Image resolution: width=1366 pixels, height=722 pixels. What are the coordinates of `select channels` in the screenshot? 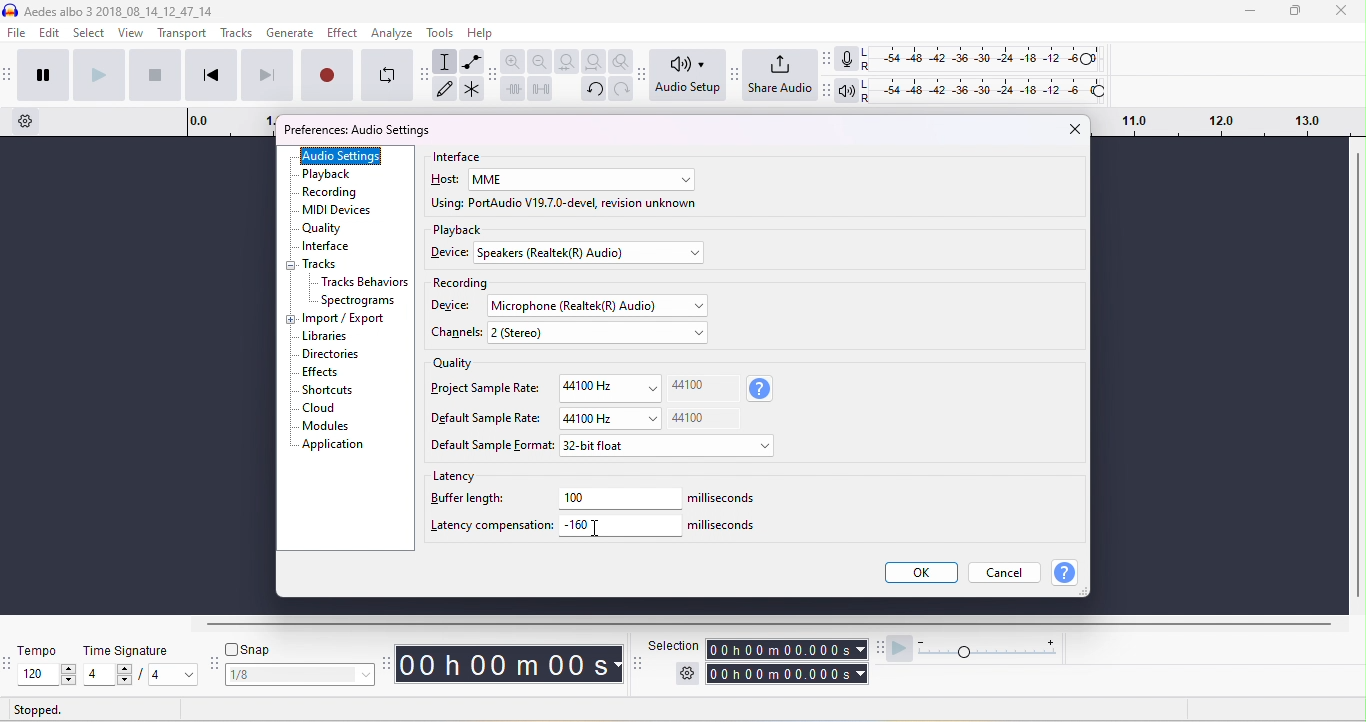 It's located at (600, 335).